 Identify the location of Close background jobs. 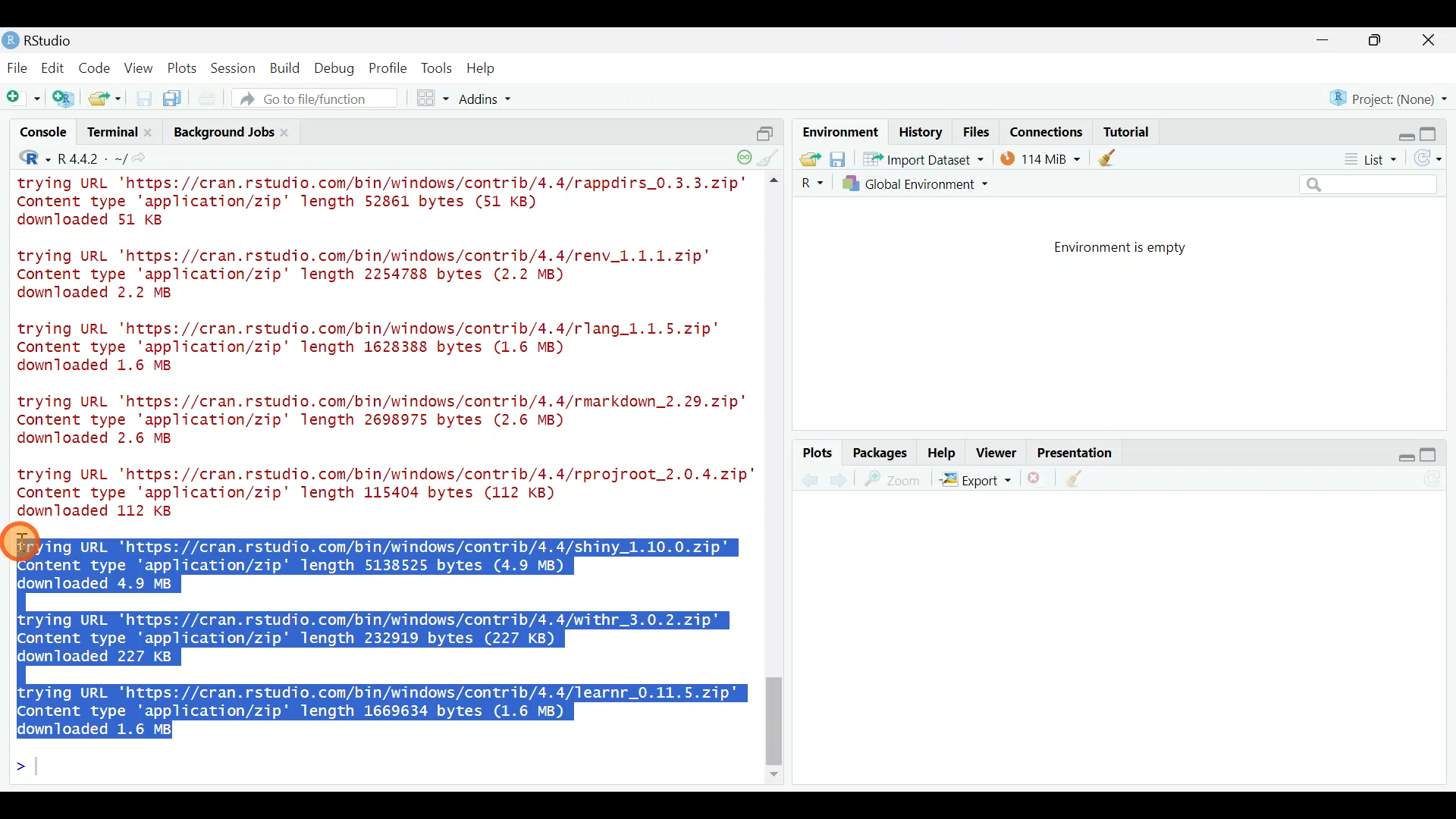
(293, 132).